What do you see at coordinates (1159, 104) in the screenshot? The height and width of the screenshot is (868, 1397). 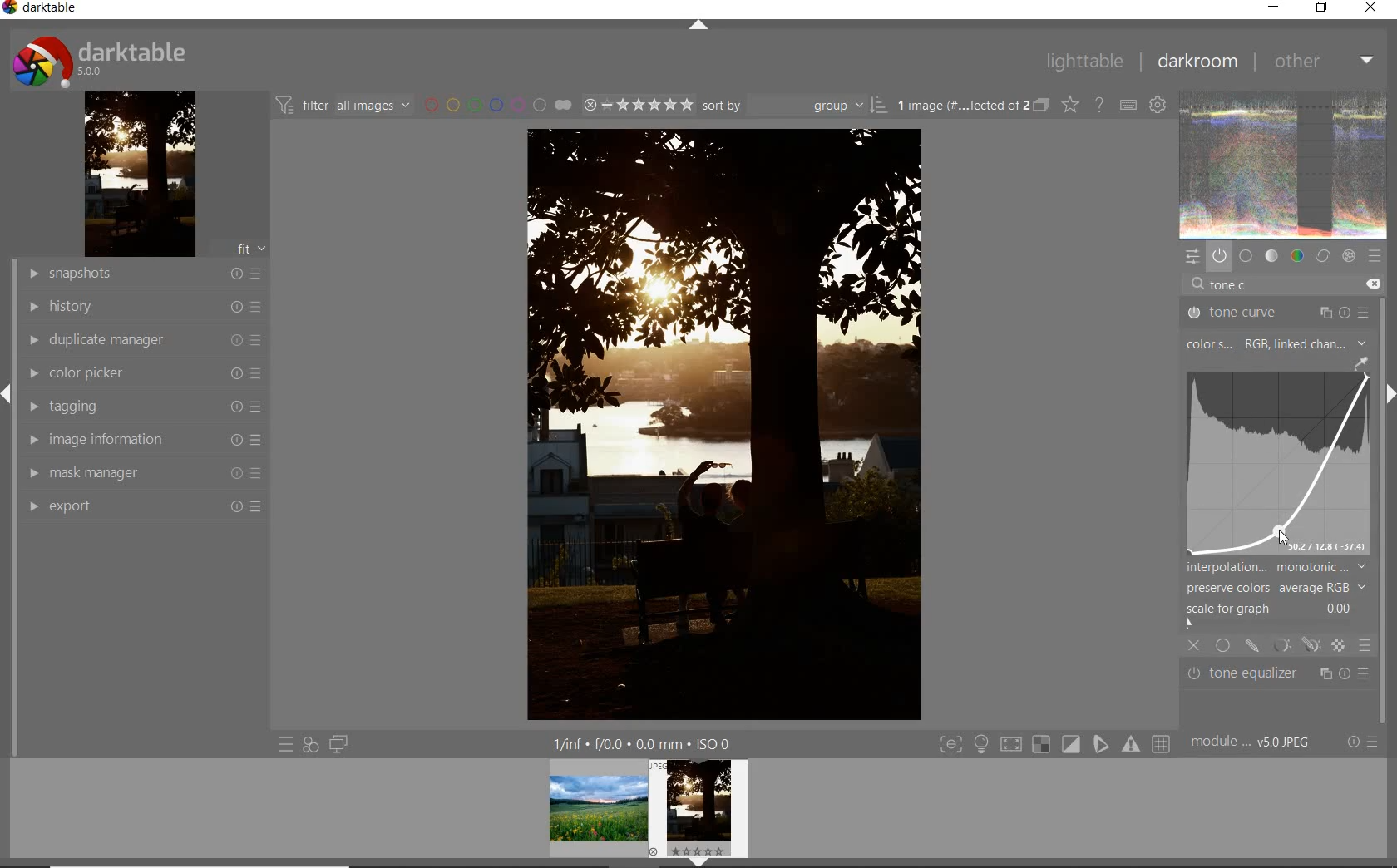 I see `define keyboard shortcuts` at bounding box center [1159, 104].